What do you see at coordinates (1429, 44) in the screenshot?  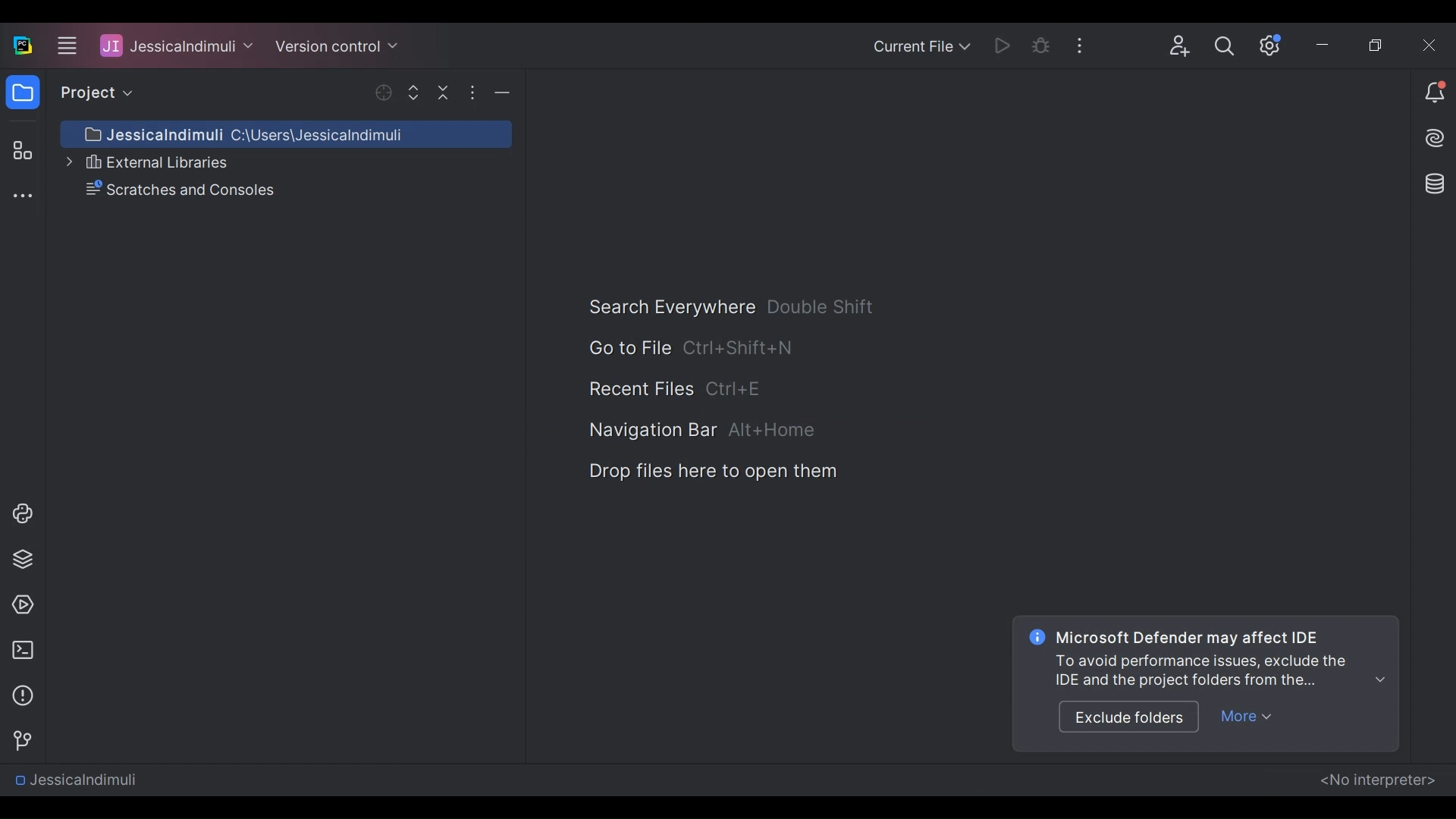 I see `Close` at bounding box center [1429, 44].